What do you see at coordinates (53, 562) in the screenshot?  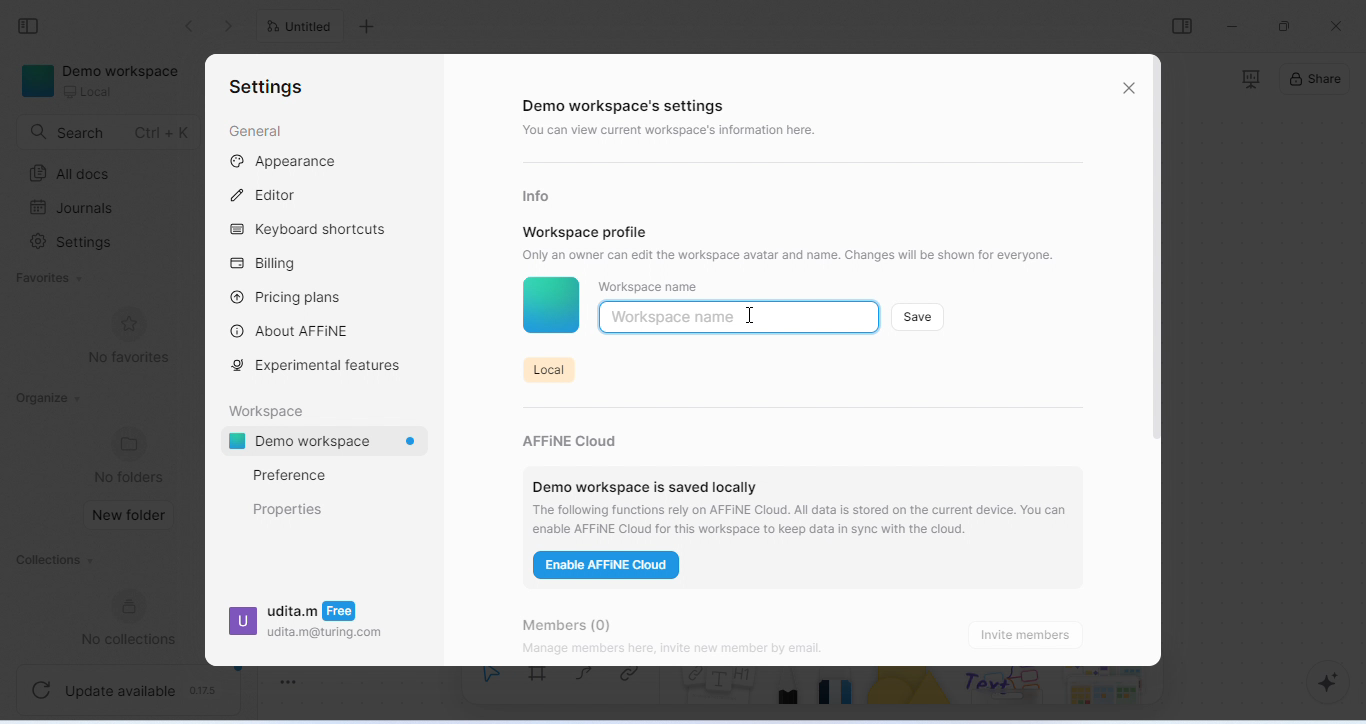 I see `collections` at bounding box center [53, 562].